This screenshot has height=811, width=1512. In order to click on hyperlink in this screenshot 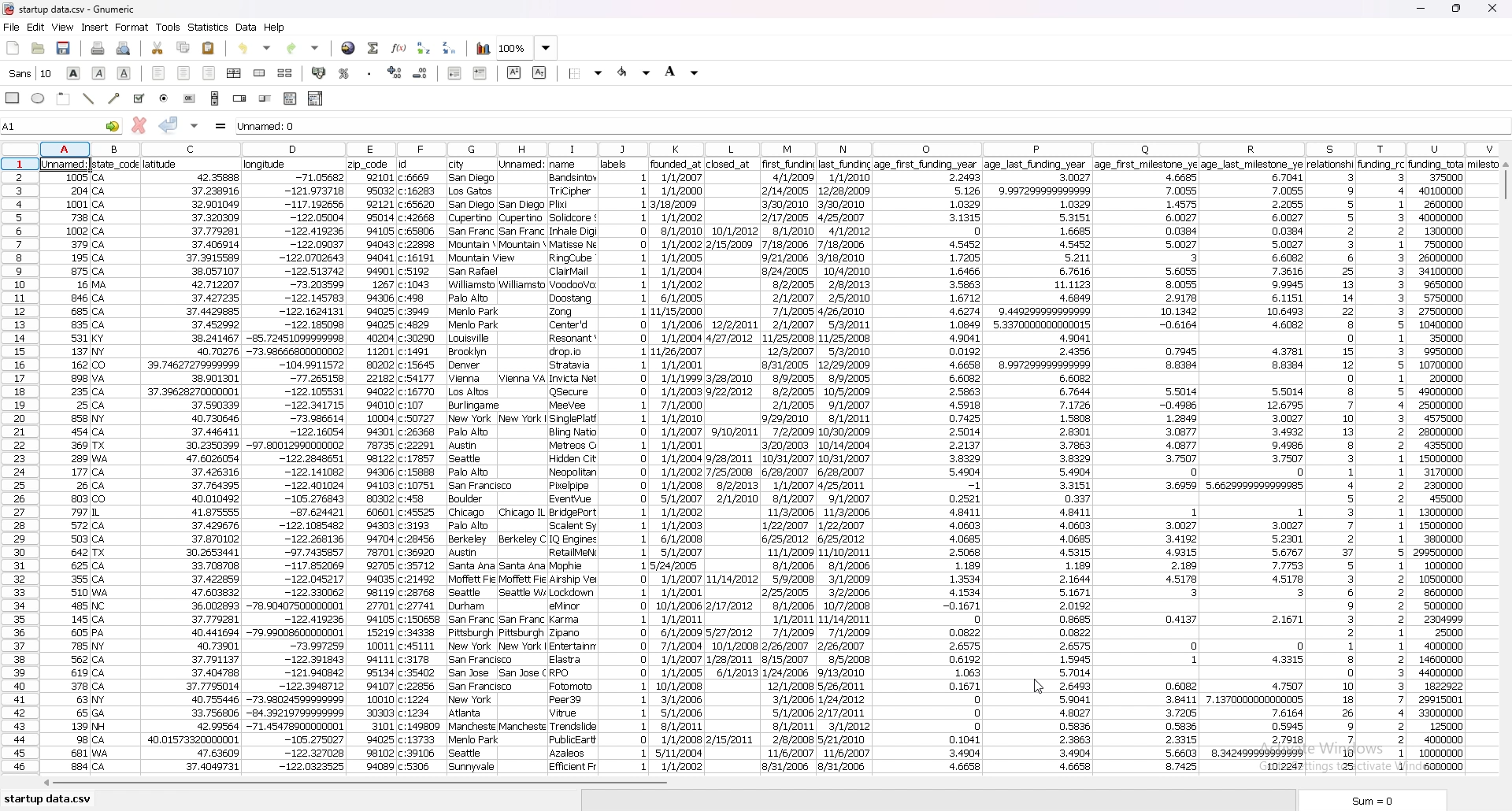, I will do `click(349, 47)`.